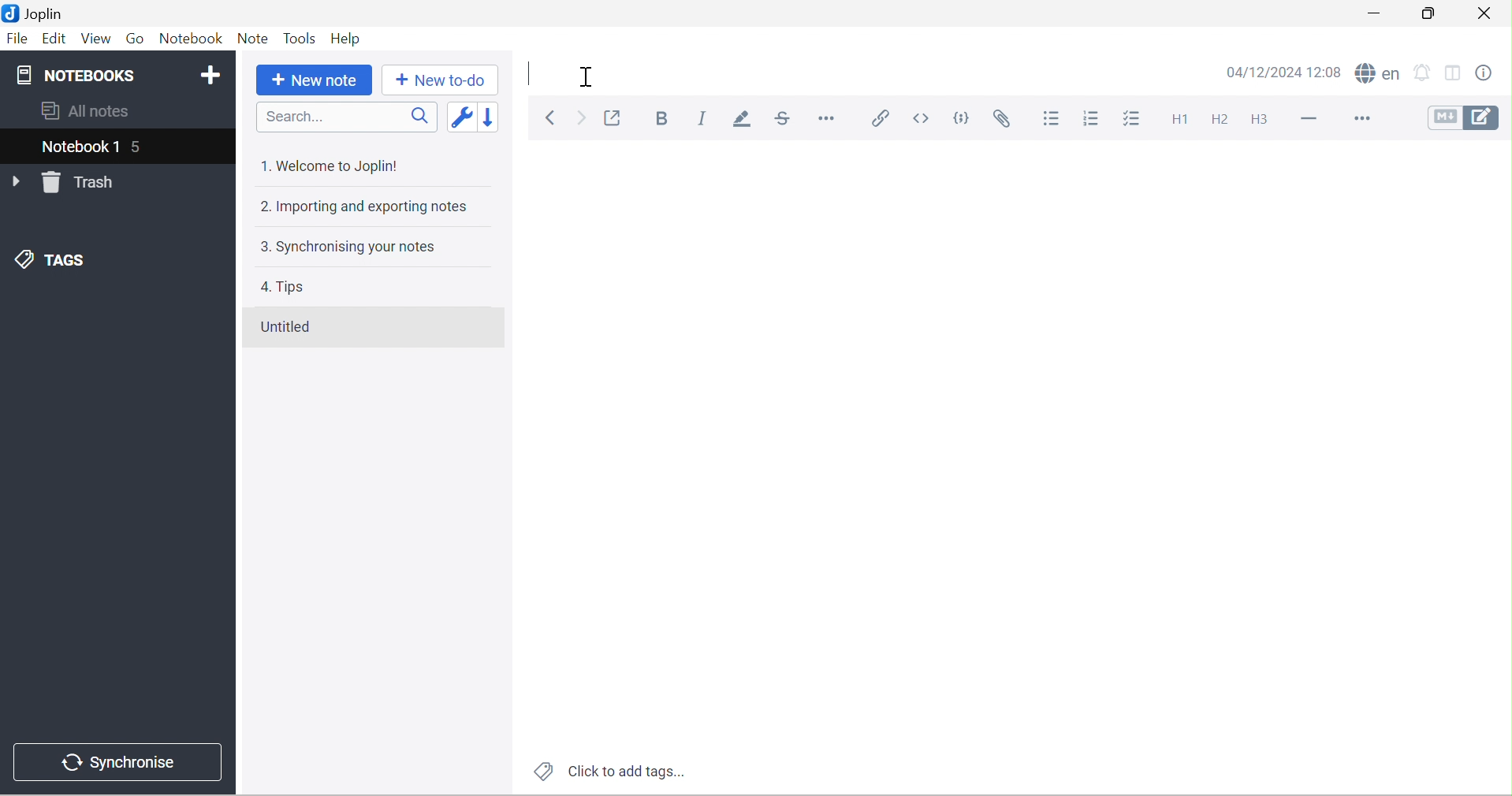 The height and width of the screenshot is (796, 1512). What do you see at coordinates (581, 119) in the screenshot?
I see `Forward` at bounding box center [581, 119].